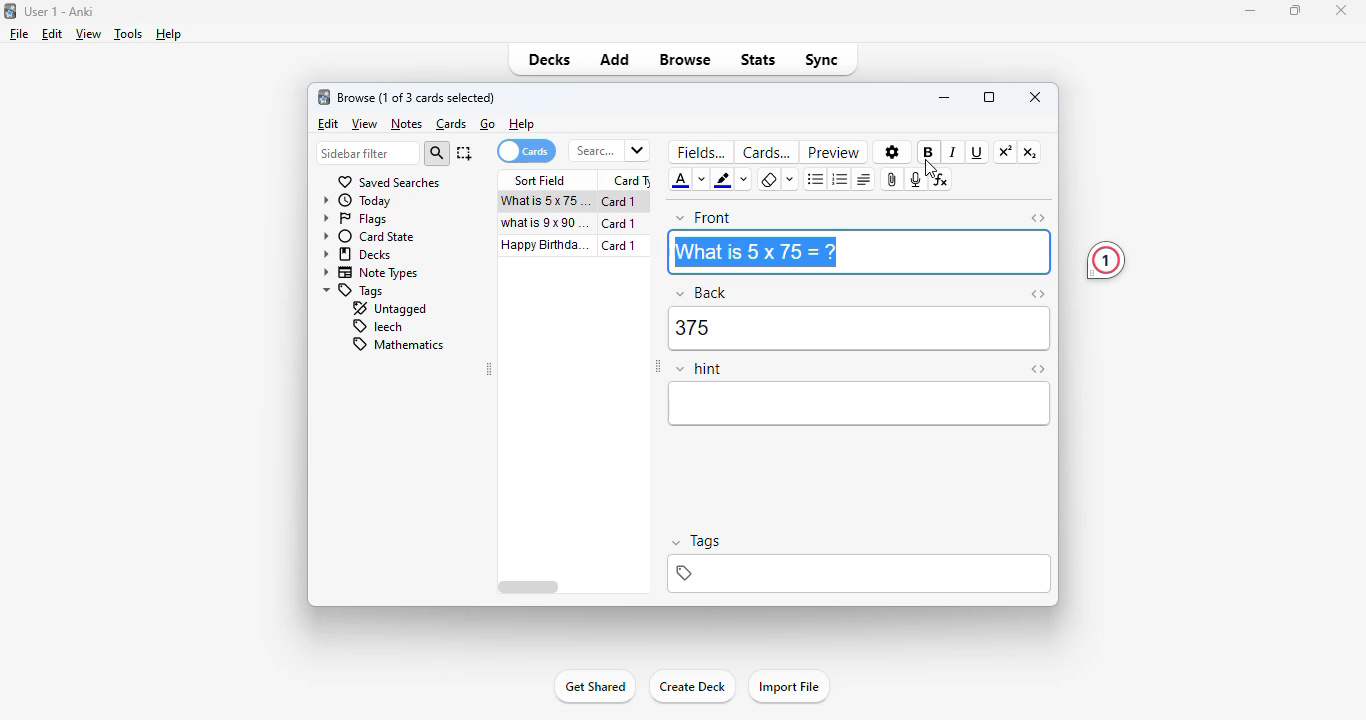  What do you see at coordinates (324, 97) in the screenshot?
I see `logo` at bounding box center [324, 97].